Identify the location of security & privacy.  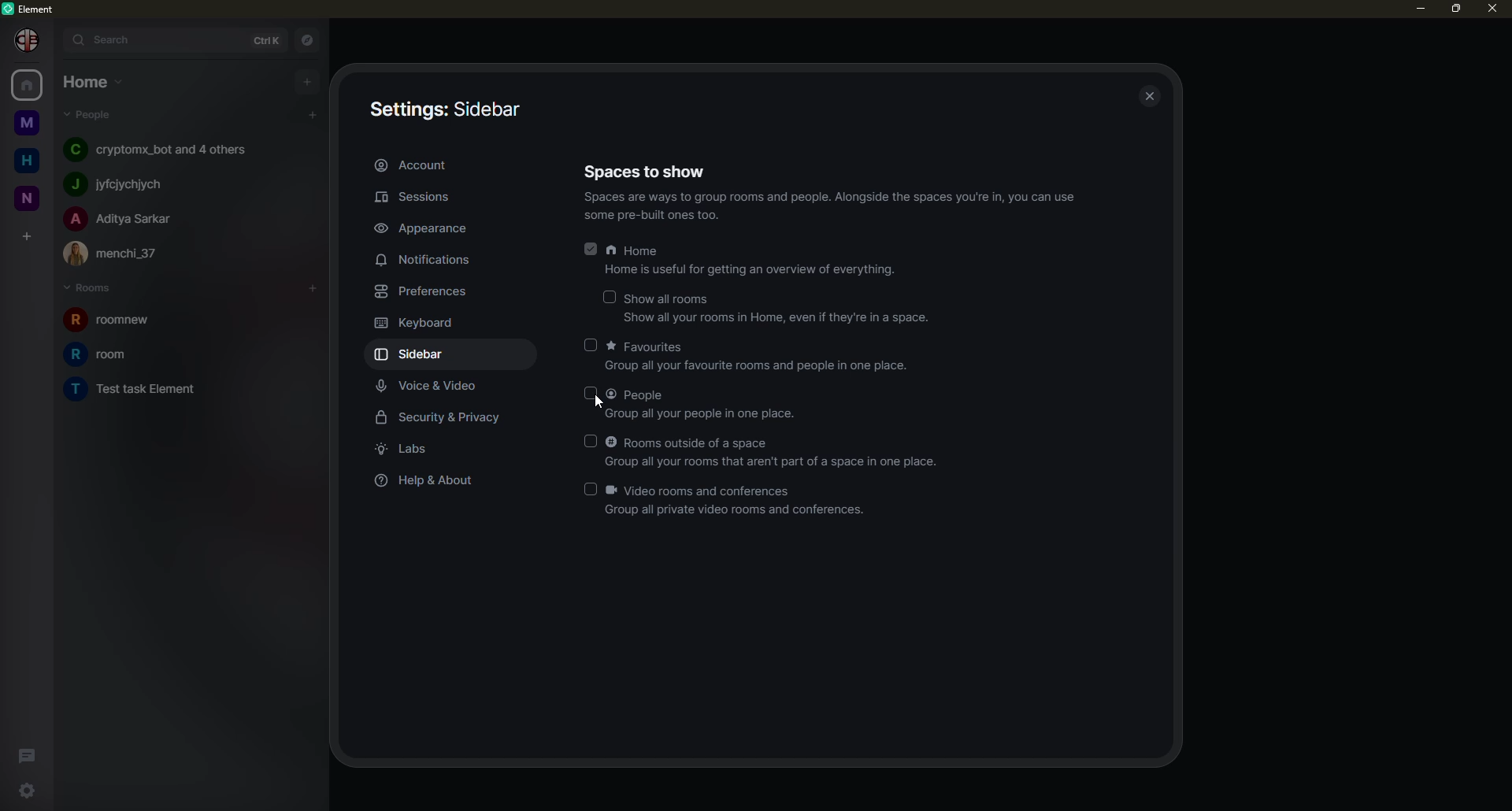
(444, 417).